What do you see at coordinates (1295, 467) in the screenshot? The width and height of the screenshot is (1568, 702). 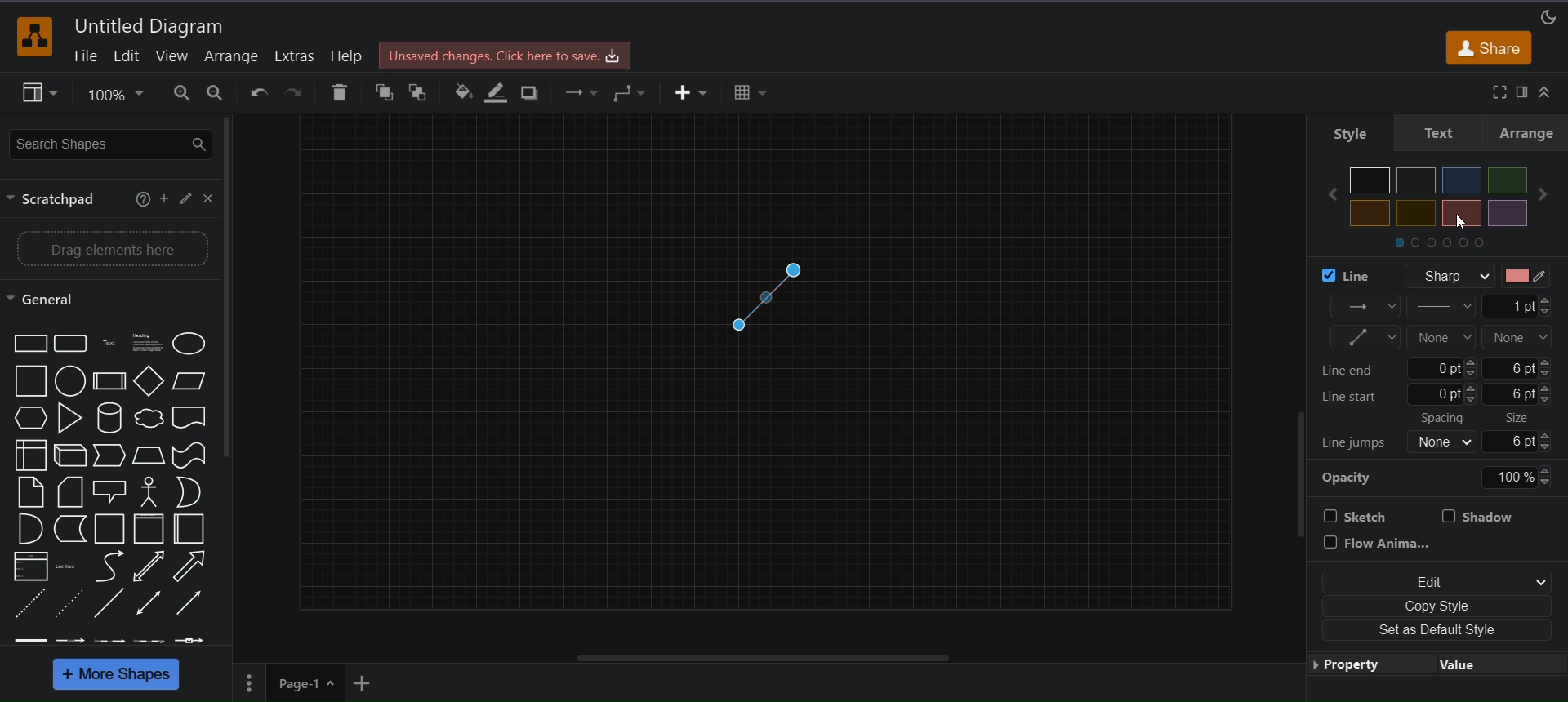 I see `vertical scrollv=bar` at bounding box center [1295, 467].